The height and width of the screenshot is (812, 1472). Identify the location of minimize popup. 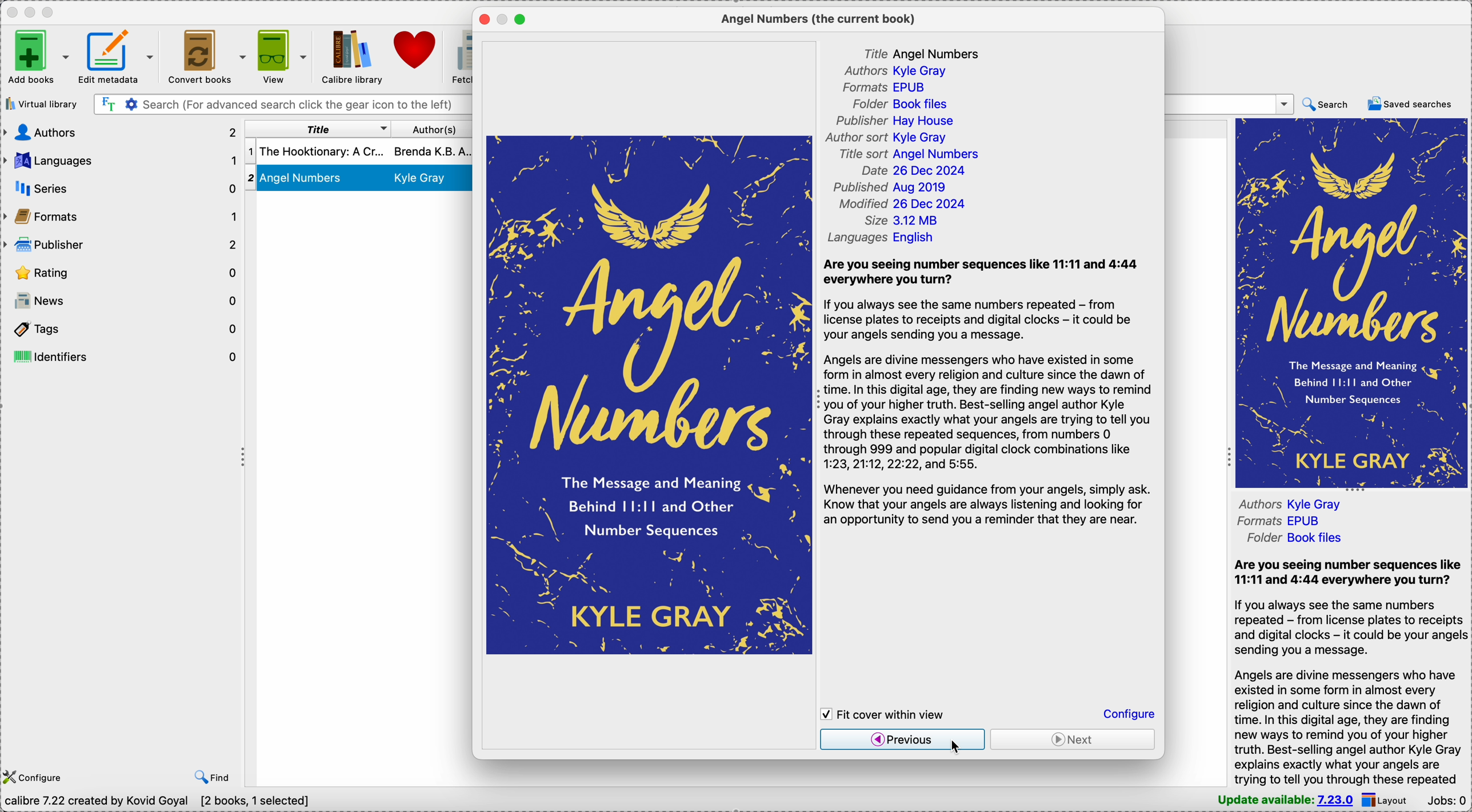
(503, 20).